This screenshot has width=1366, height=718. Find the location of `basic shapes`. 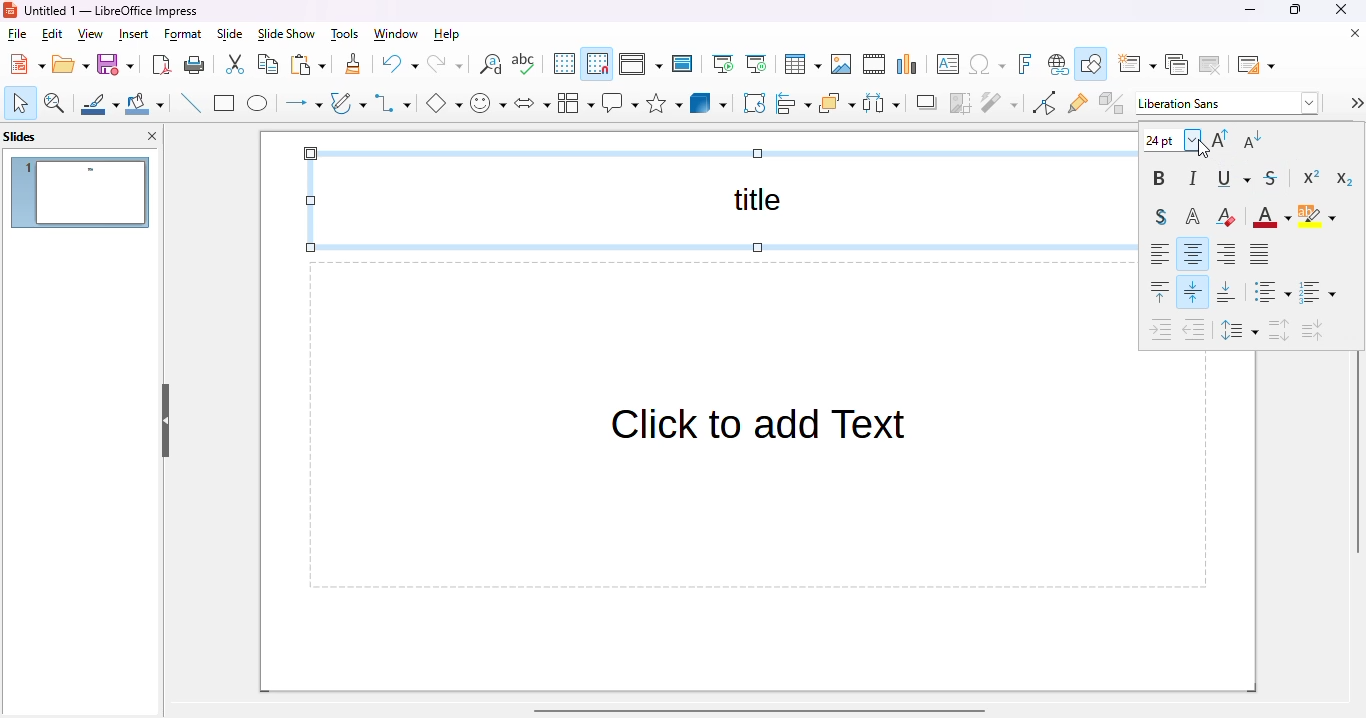

basic shapes is located at coordinates (444, 103).